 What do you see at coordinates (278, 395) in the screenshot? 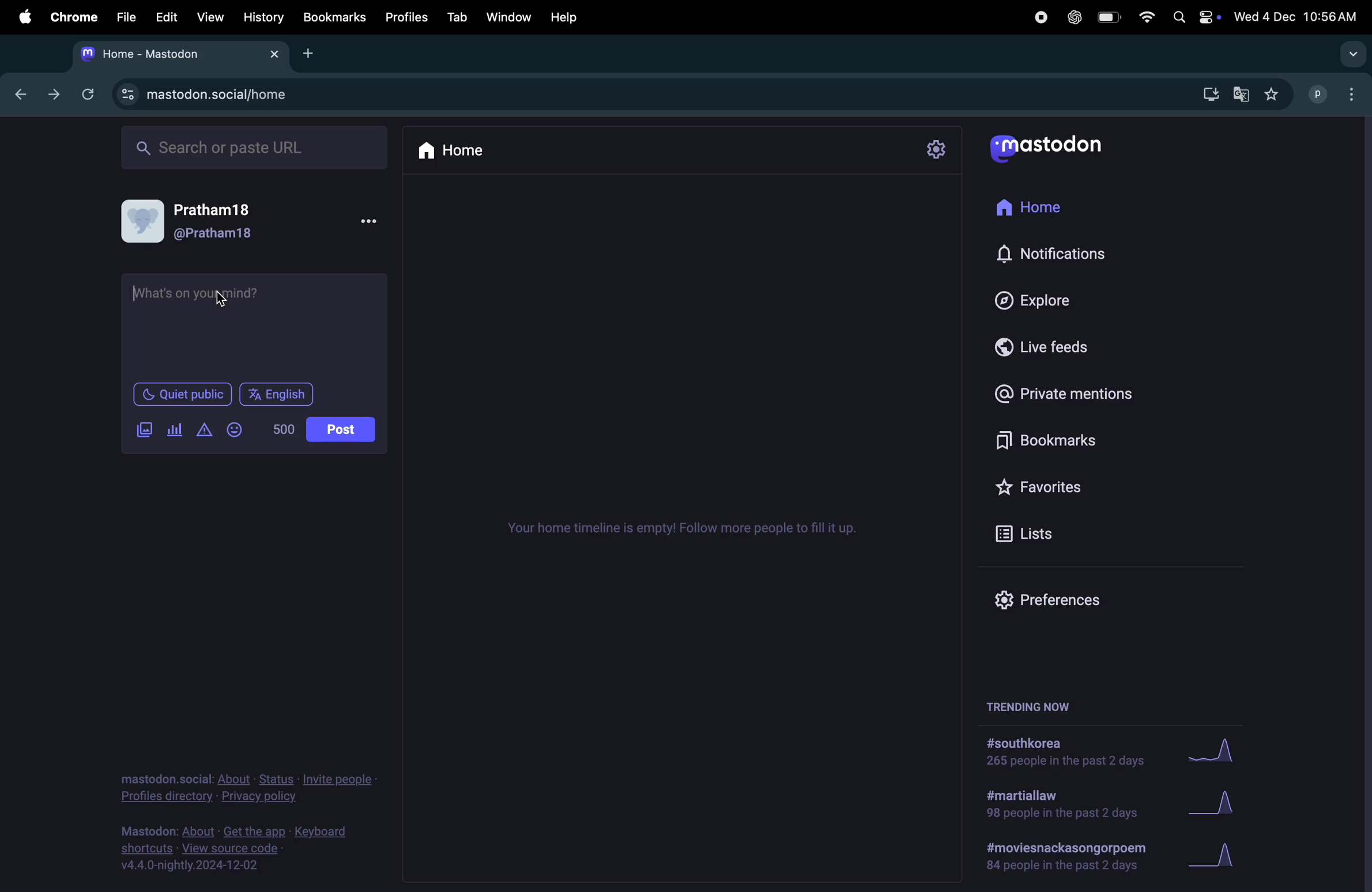
I see `English` at bounding box center [278, 395].